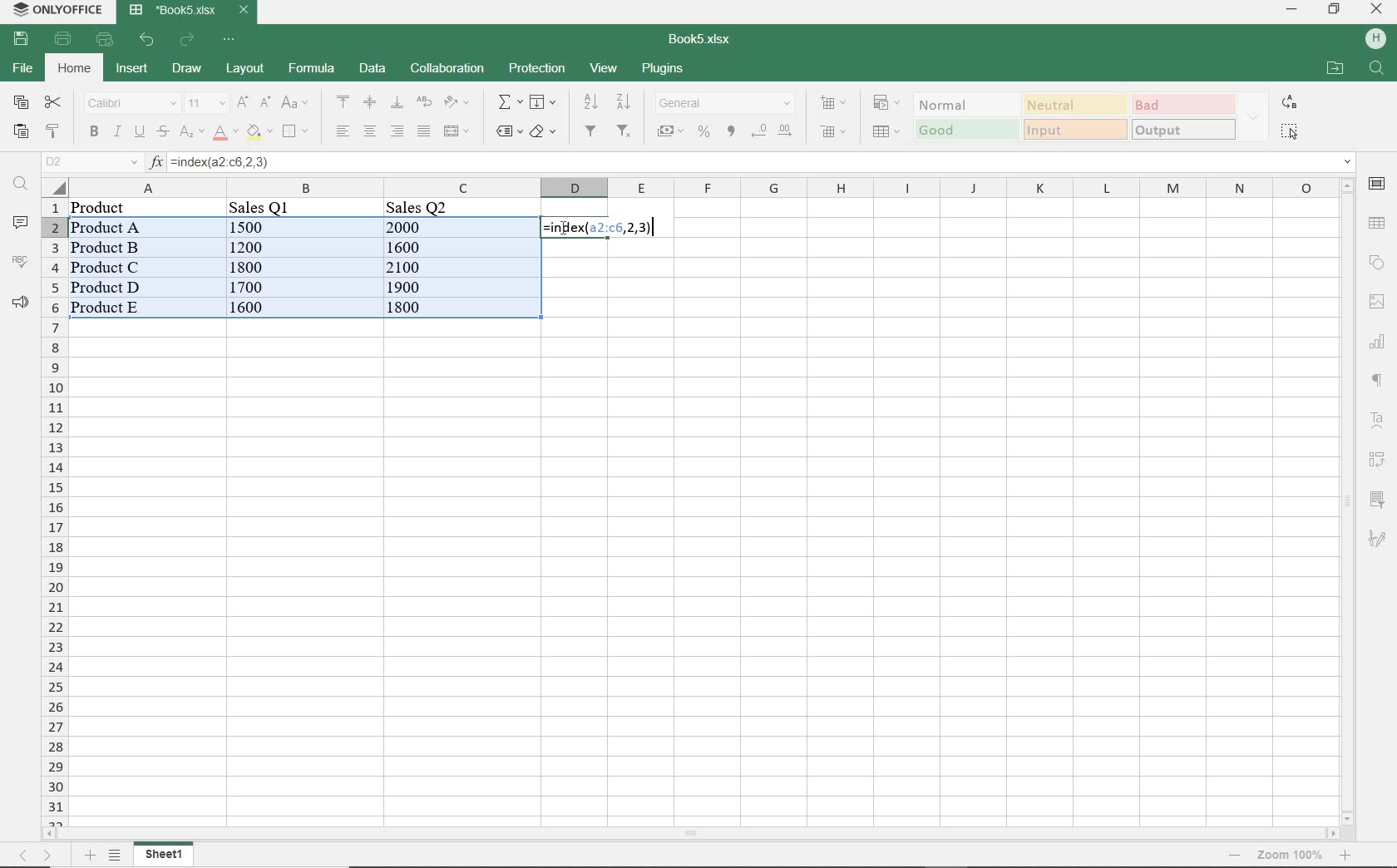 This screenshot has width=1397, height=868. What do you see at coordinates (1335, 67) in the screenshot?
I see `open file location` at bounding box center [1335, 67].